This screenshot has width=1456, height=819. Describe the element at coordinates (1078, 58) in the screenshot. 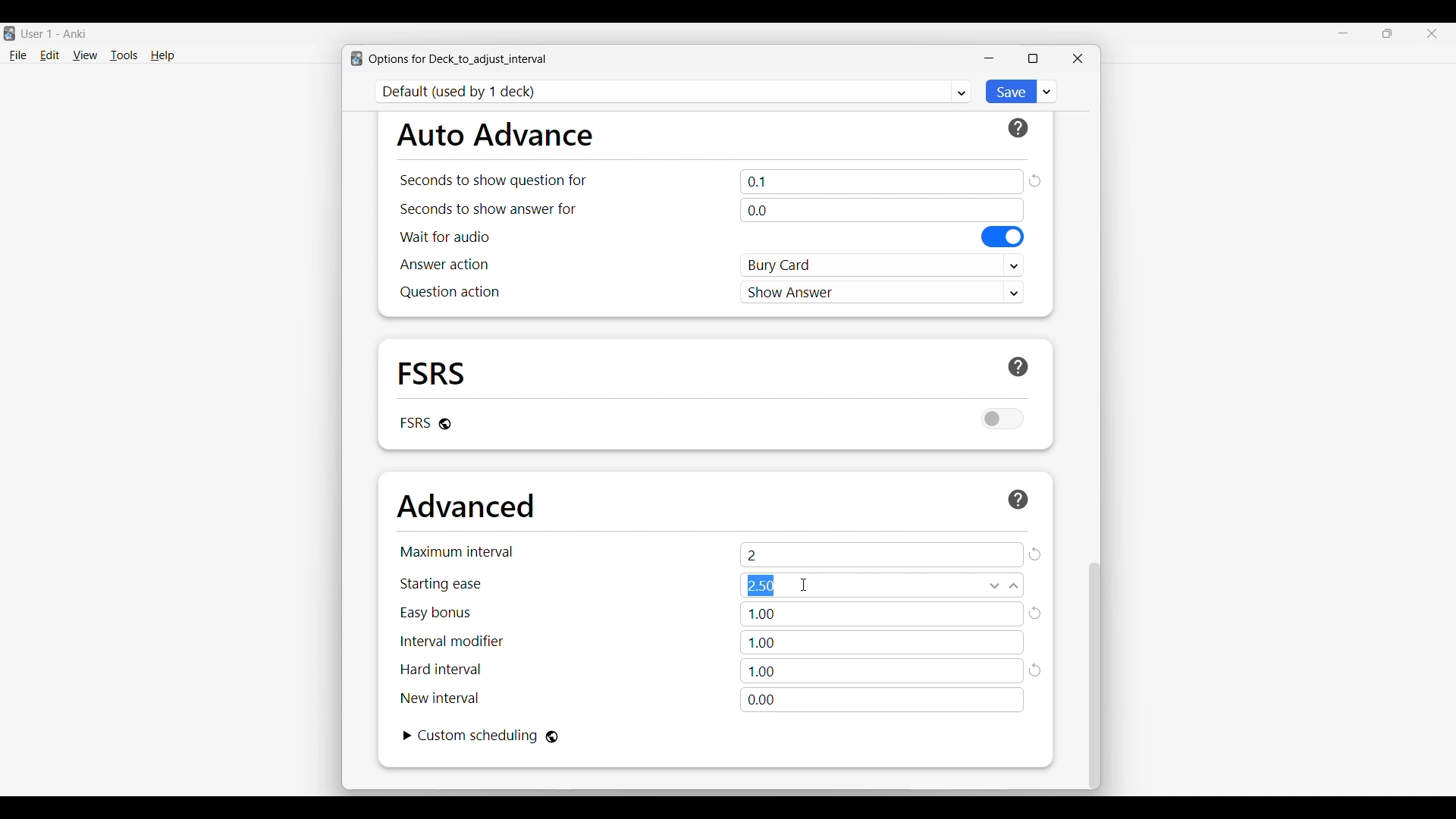

I see `Click to close window` at that location.